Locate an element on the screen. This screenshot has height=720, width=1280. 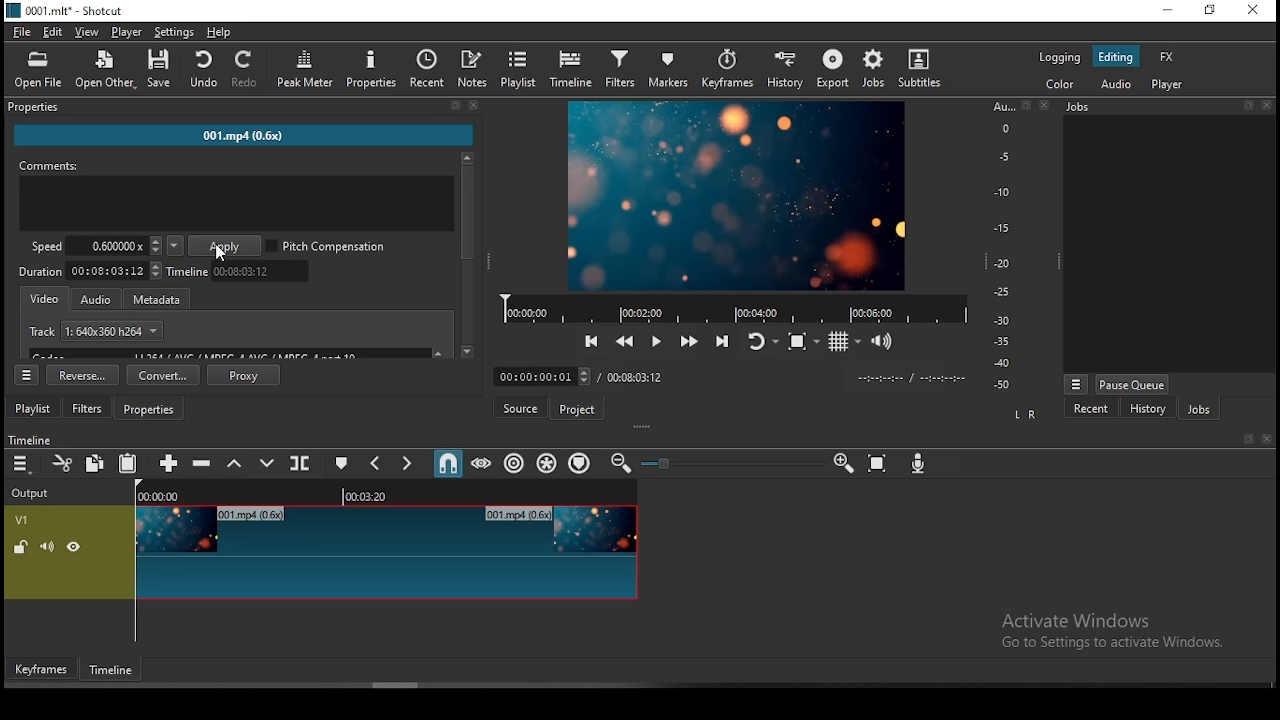
proxy is located at coordinates (242, 375).